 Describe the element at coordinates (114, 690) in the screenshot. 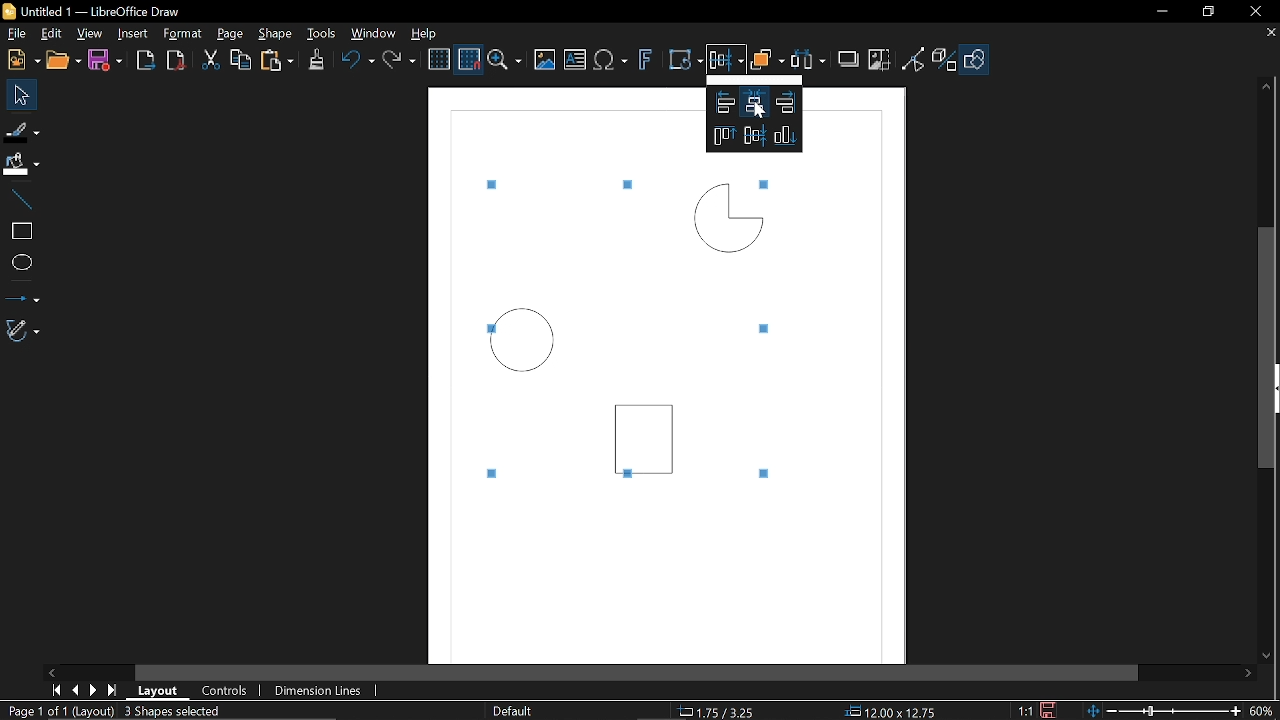

I see `last page` at that location.